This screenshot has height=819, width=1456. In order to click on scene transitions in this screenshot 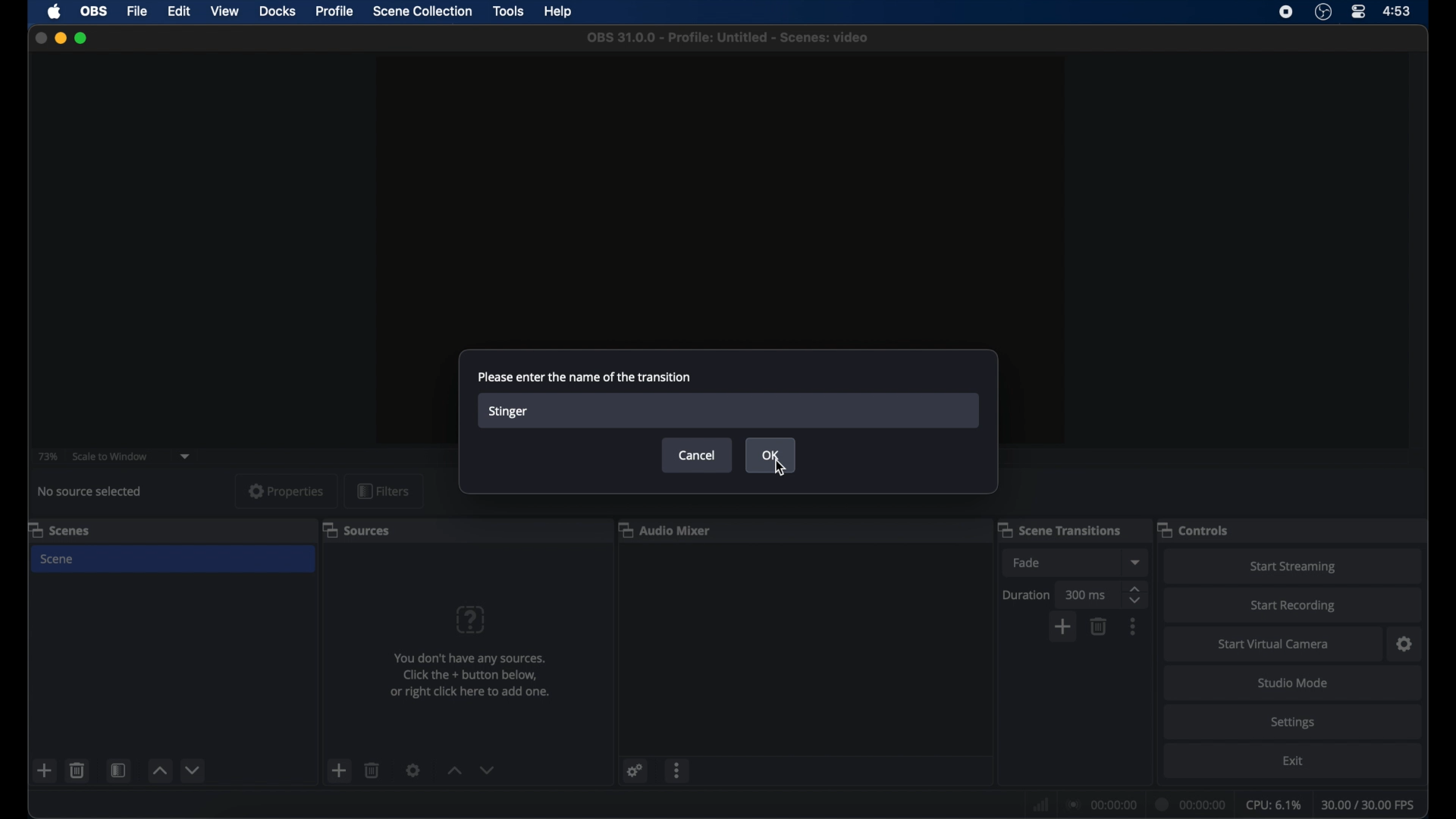, I will do `click(1060, 529)`.